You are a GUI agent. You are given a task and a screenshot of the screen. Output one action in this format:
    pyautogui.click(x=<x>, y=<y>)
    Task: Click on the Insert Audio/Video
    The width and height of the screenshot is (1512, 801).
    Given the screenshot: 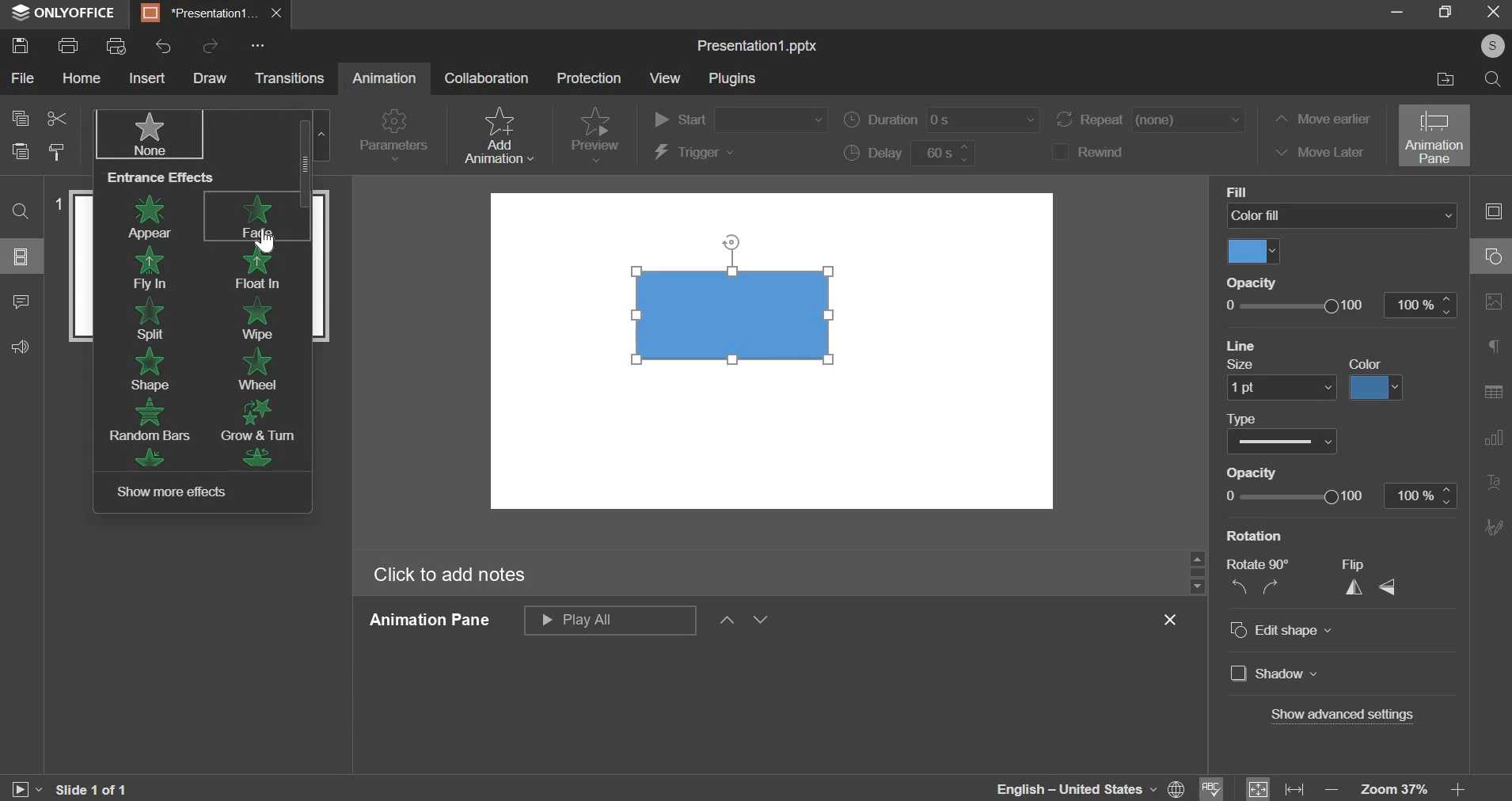 What is the action you would take?
    pyautogui.click(x=1495, y=482)
    